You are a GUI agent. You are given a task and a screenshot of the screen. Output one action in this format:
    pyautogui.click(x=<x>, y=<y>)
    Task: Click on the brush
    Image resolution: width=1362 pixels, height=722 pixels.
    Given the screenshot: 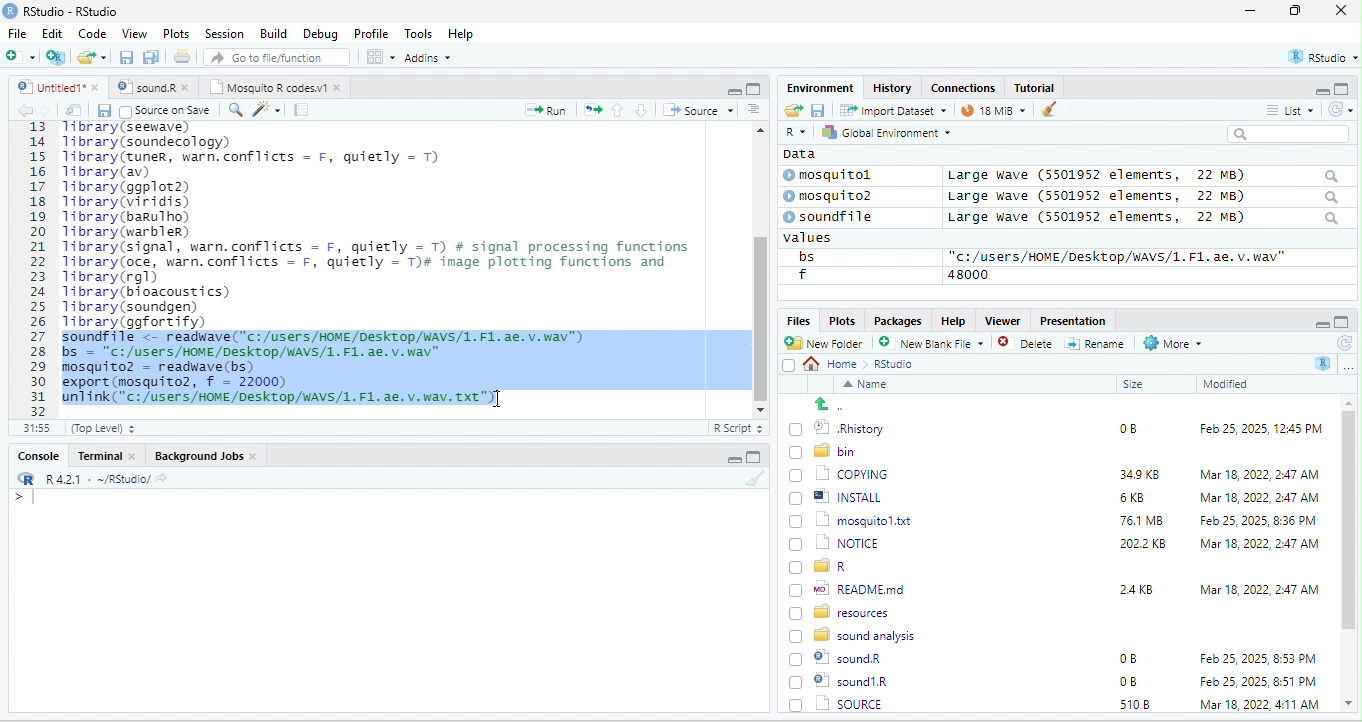 What is the action you would take?
    pyautogui.click(x=757, y=479)
    